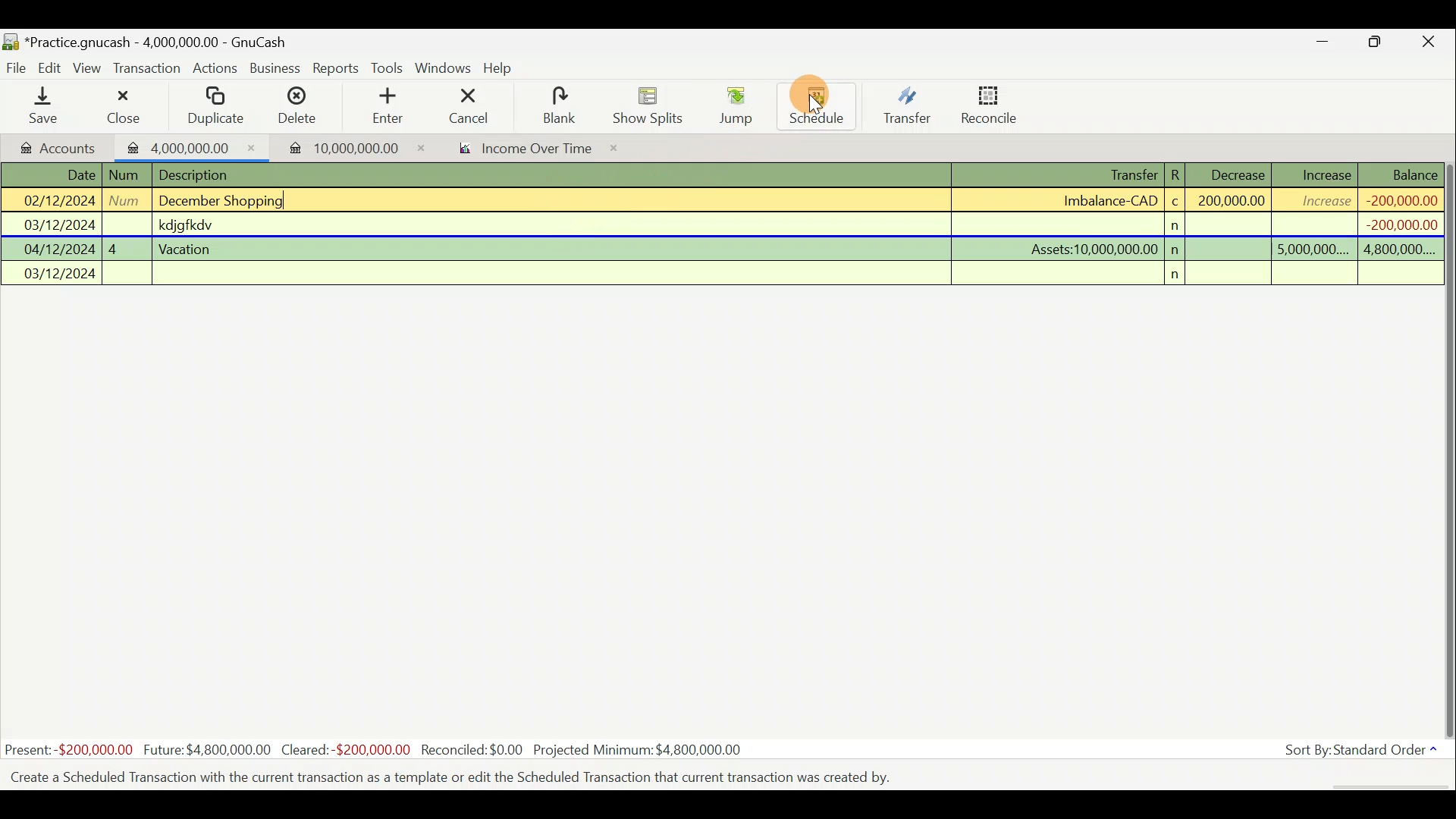 The image size is (1456, 819). What do you see at coordinates (163, 43) in the screenshot?
I see `Document name` at bounding box center [163, 43].